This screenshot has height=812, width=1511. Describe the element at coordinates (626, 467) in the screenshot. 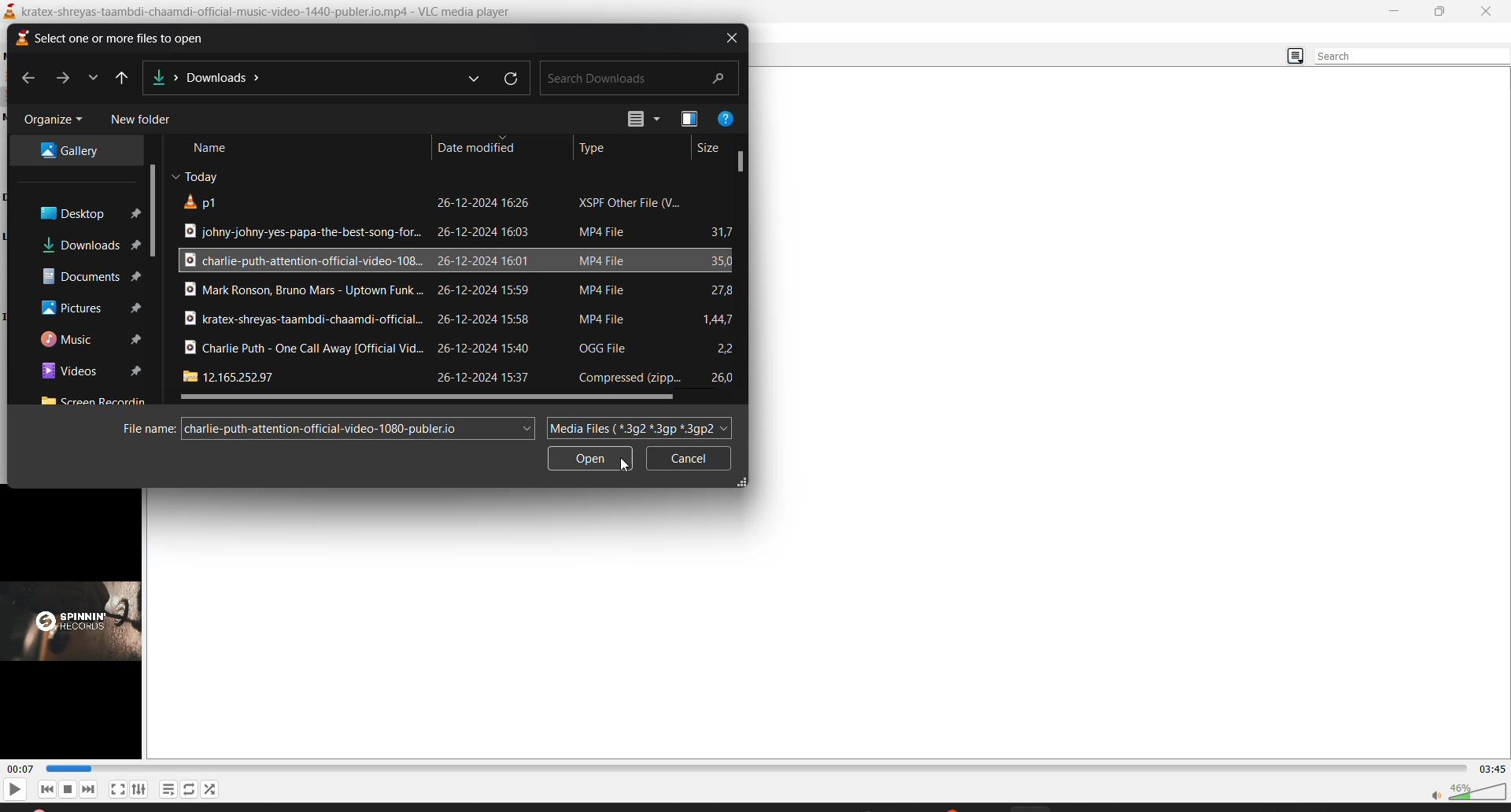

I see `cursor` at that location.